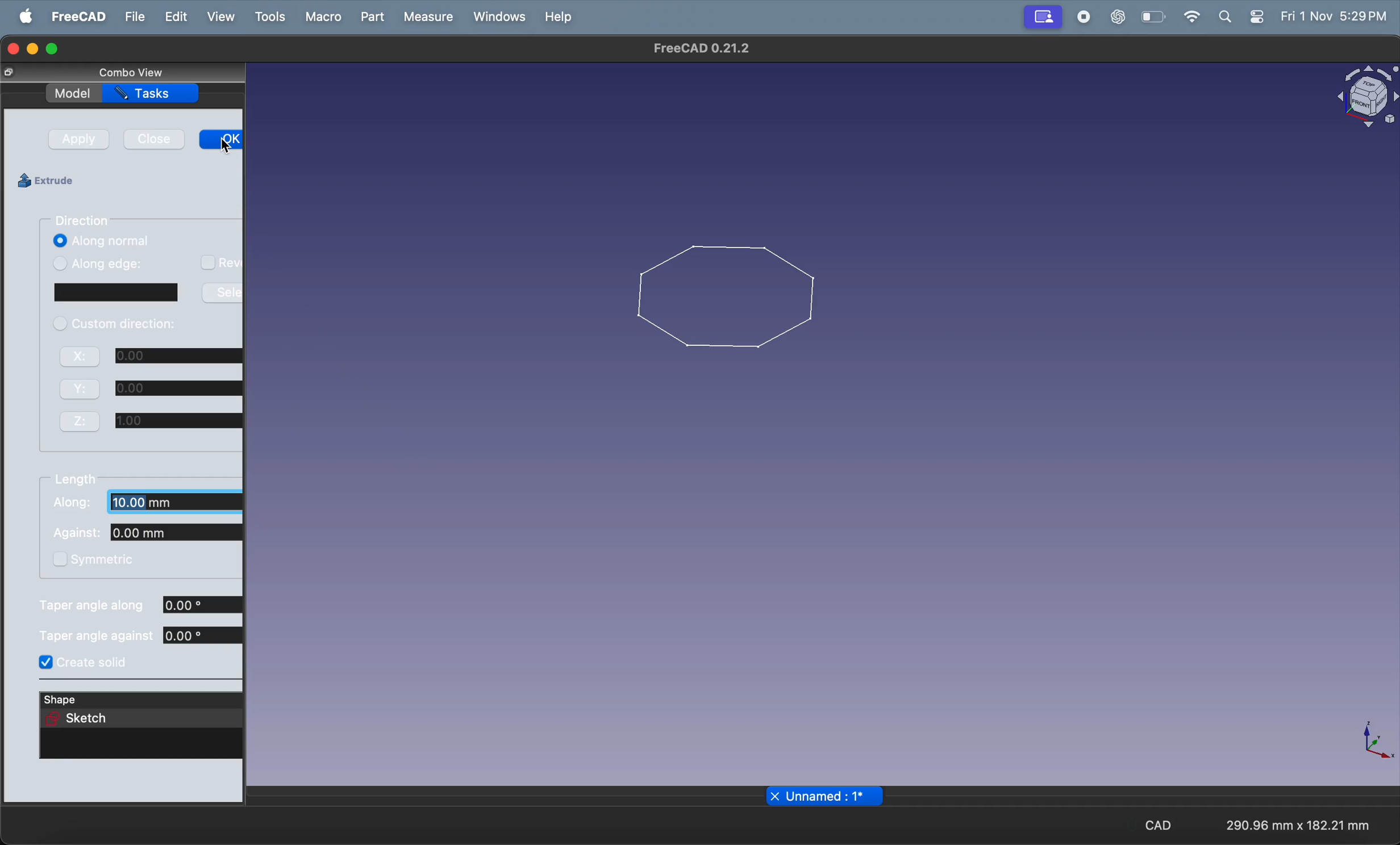  I want to click on aspect ratio, so click(1301, 824).